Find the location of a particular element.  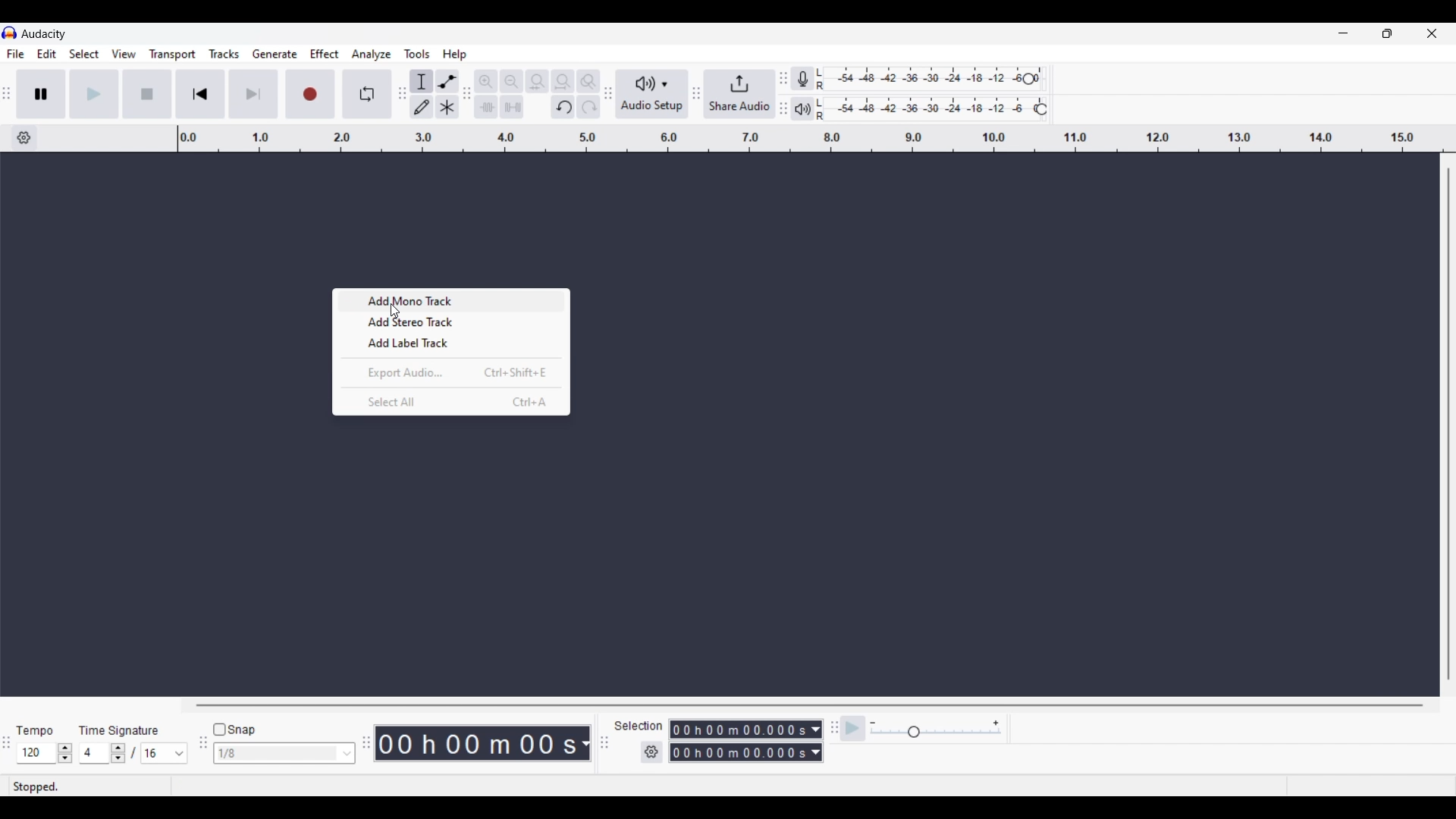

Recording level is located at coordinates (928, 79).